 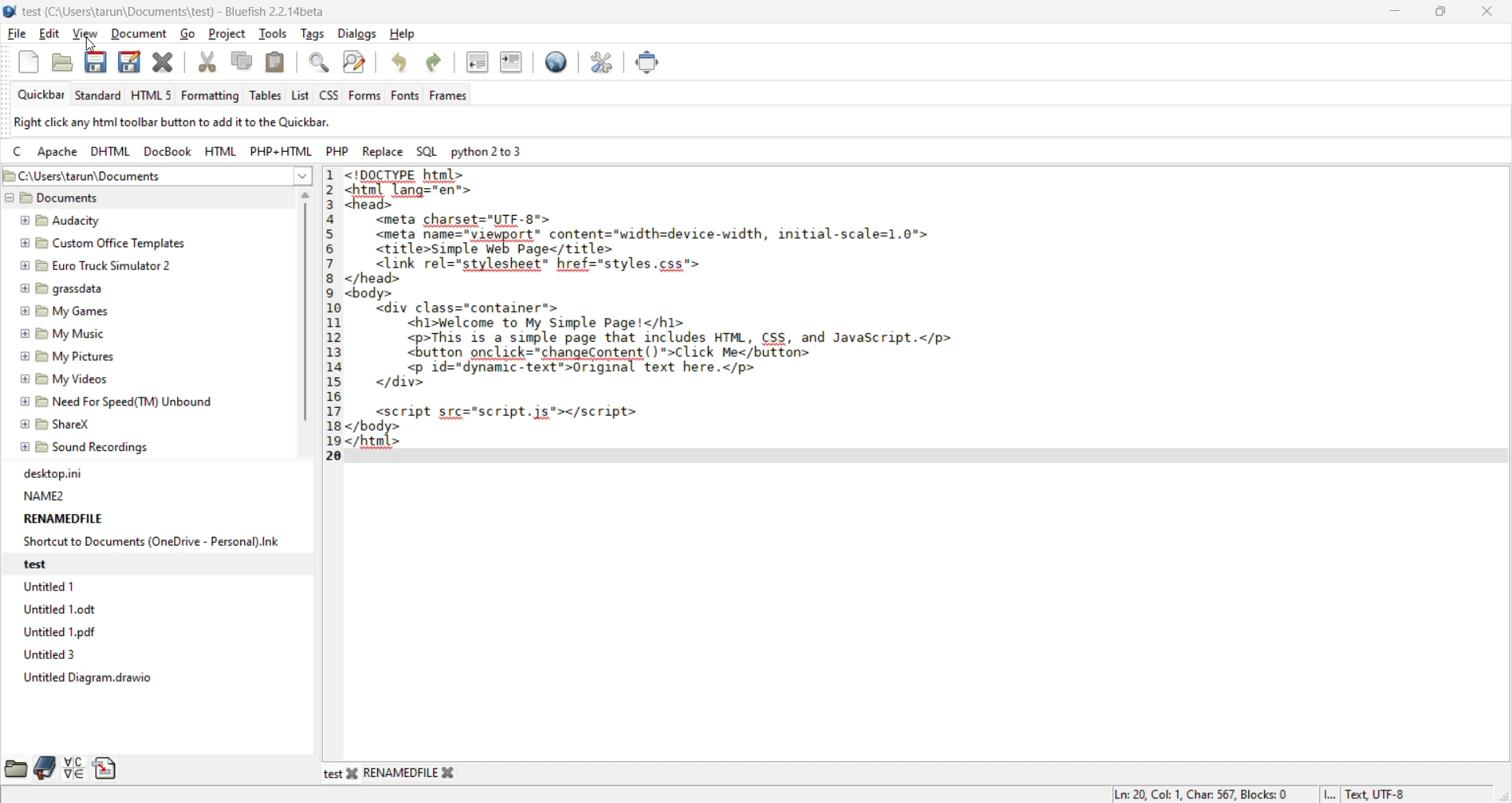 What do you see at coordinates (20, 154) in the screenshot?
I see `c` at bounding box center [20, 154].